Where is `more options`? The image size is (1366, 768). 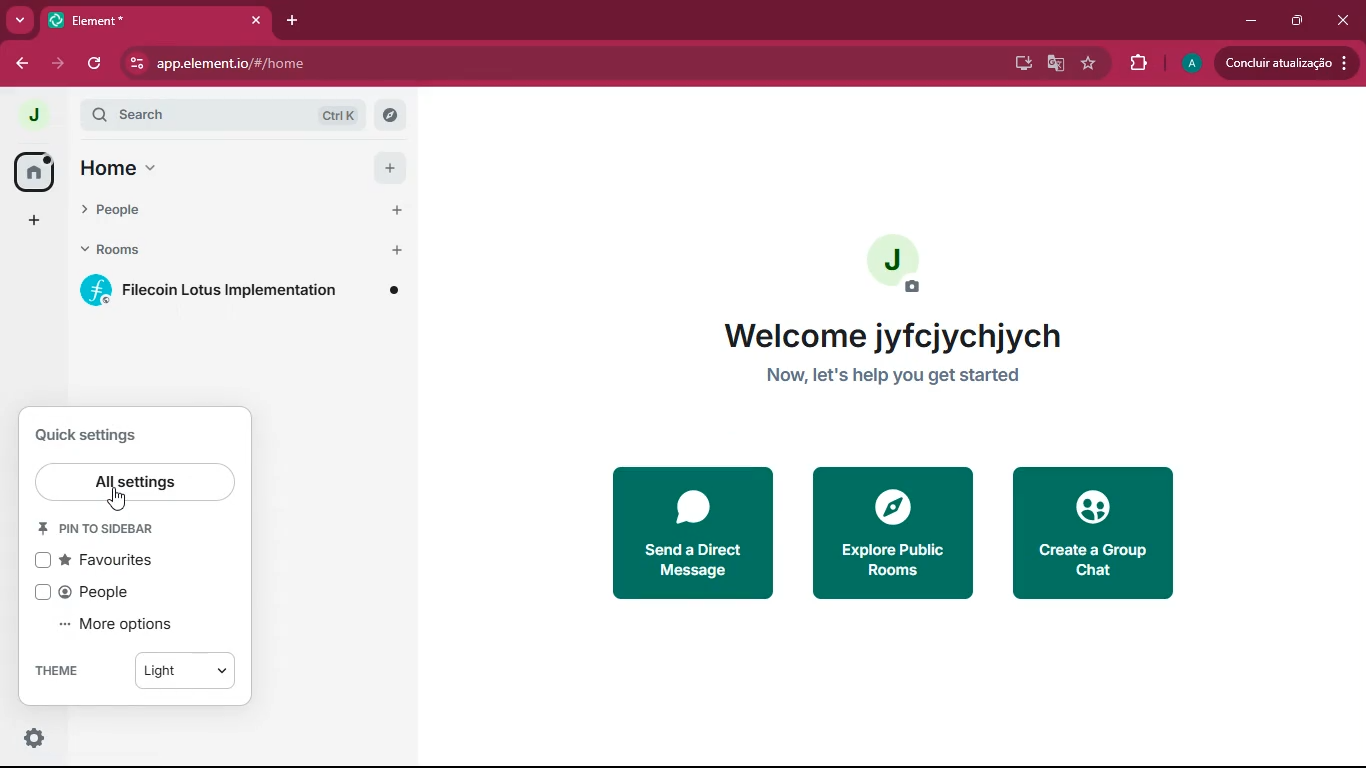 more options is located at coordinates (119, 625).